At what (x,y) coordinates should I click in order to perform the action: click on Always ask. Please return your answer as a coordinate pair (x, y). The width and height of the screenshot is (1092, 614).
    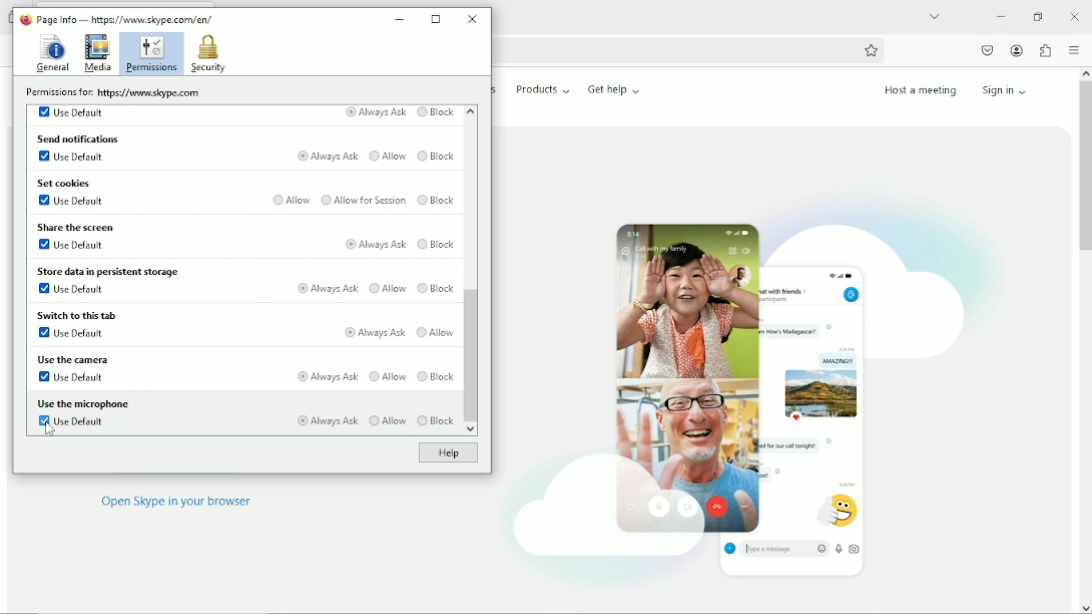
    Looking at the image, I should click on (375, 243).